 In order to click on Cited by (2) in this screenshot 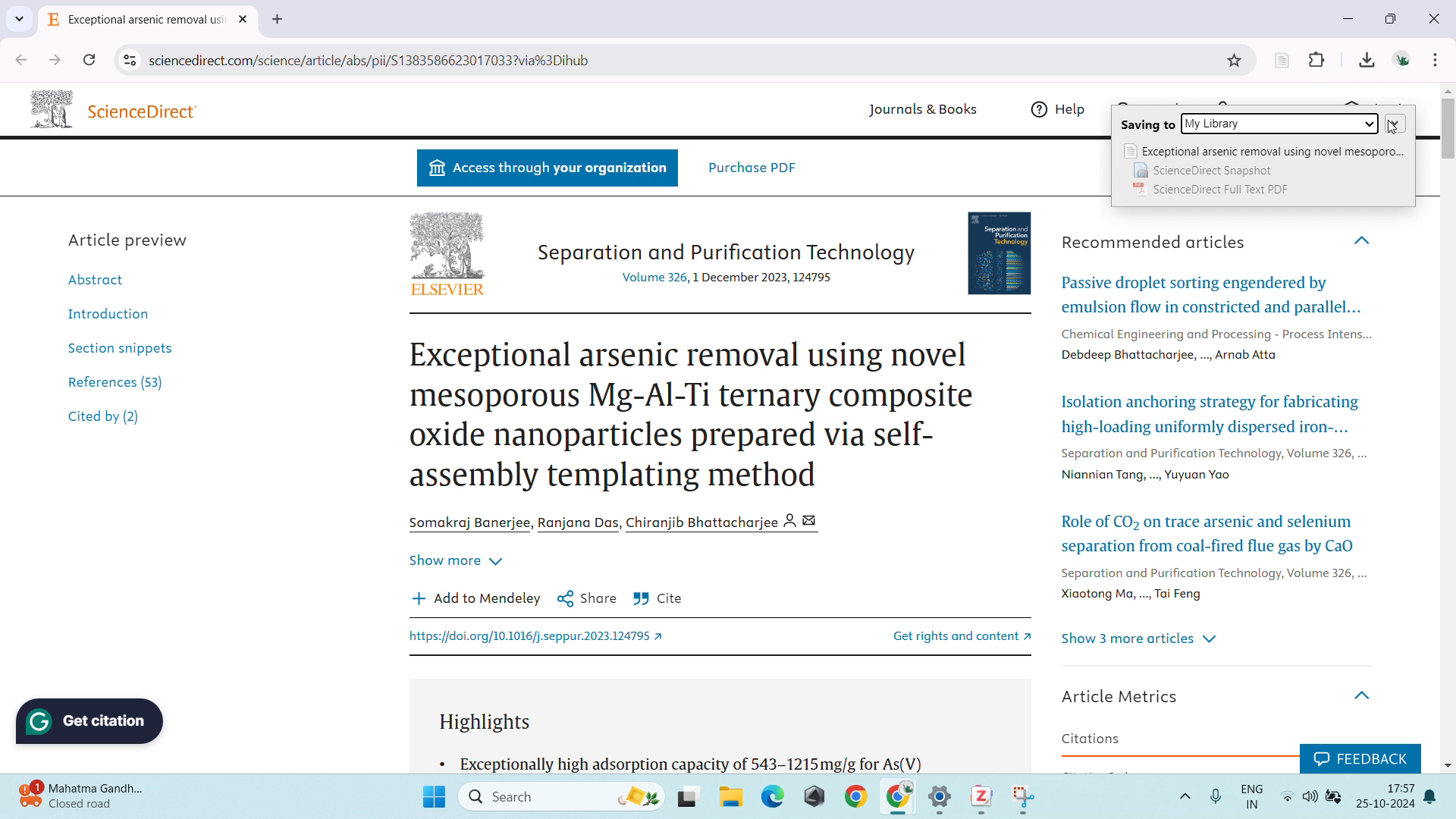, I will do `click(105, 419)`.